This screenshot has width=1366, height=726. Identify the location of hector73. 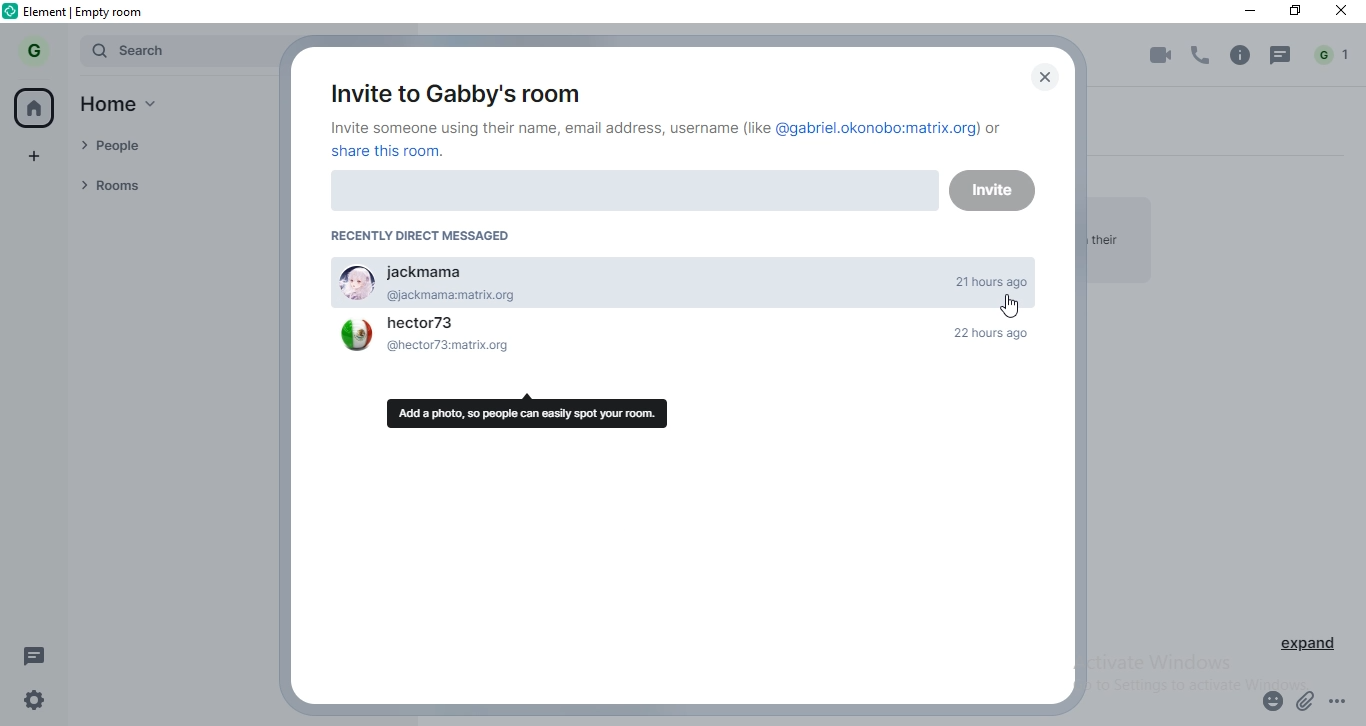
(682, 347).